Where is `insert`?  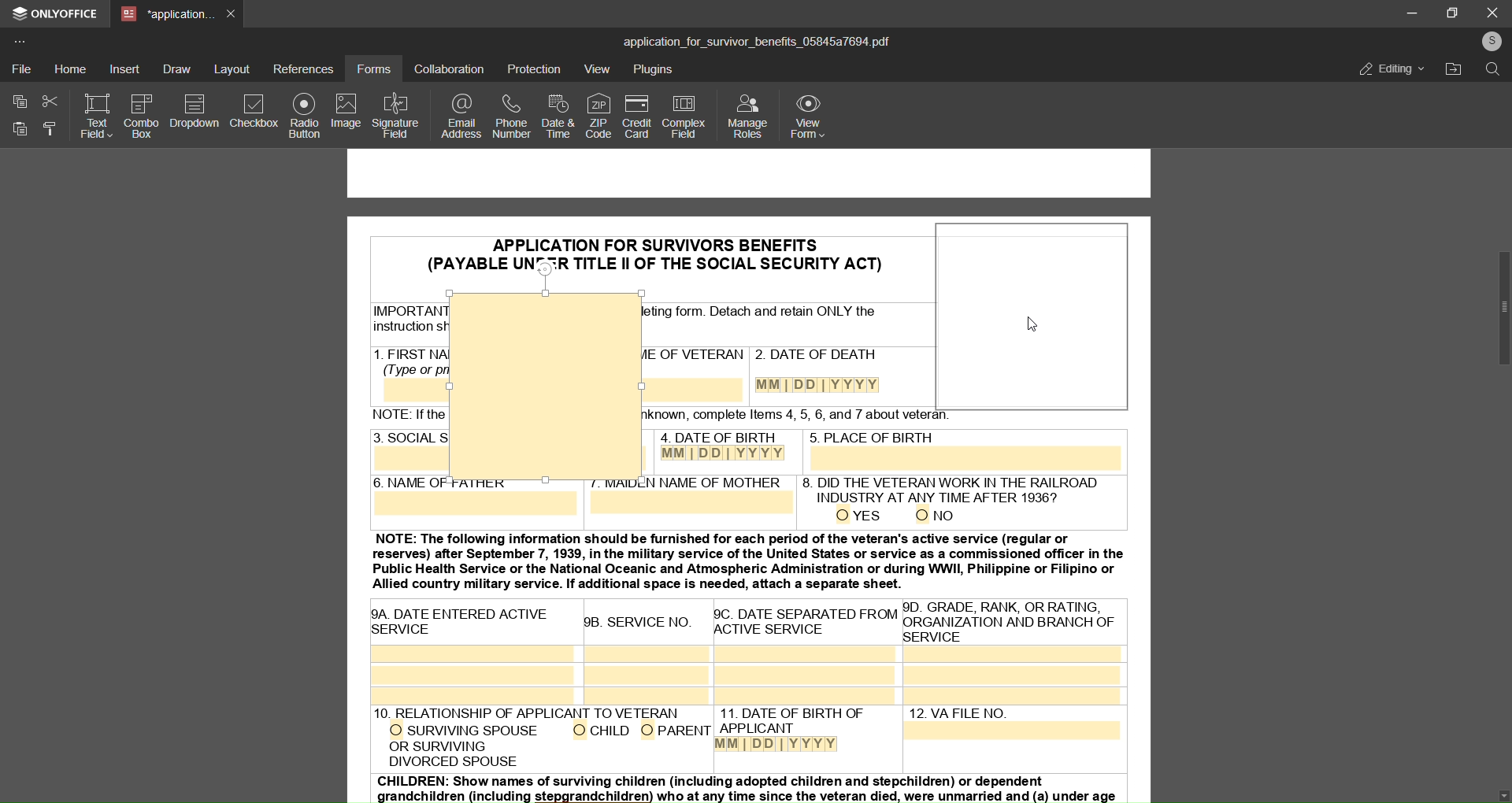
insert is located at coordinates (126, 70).